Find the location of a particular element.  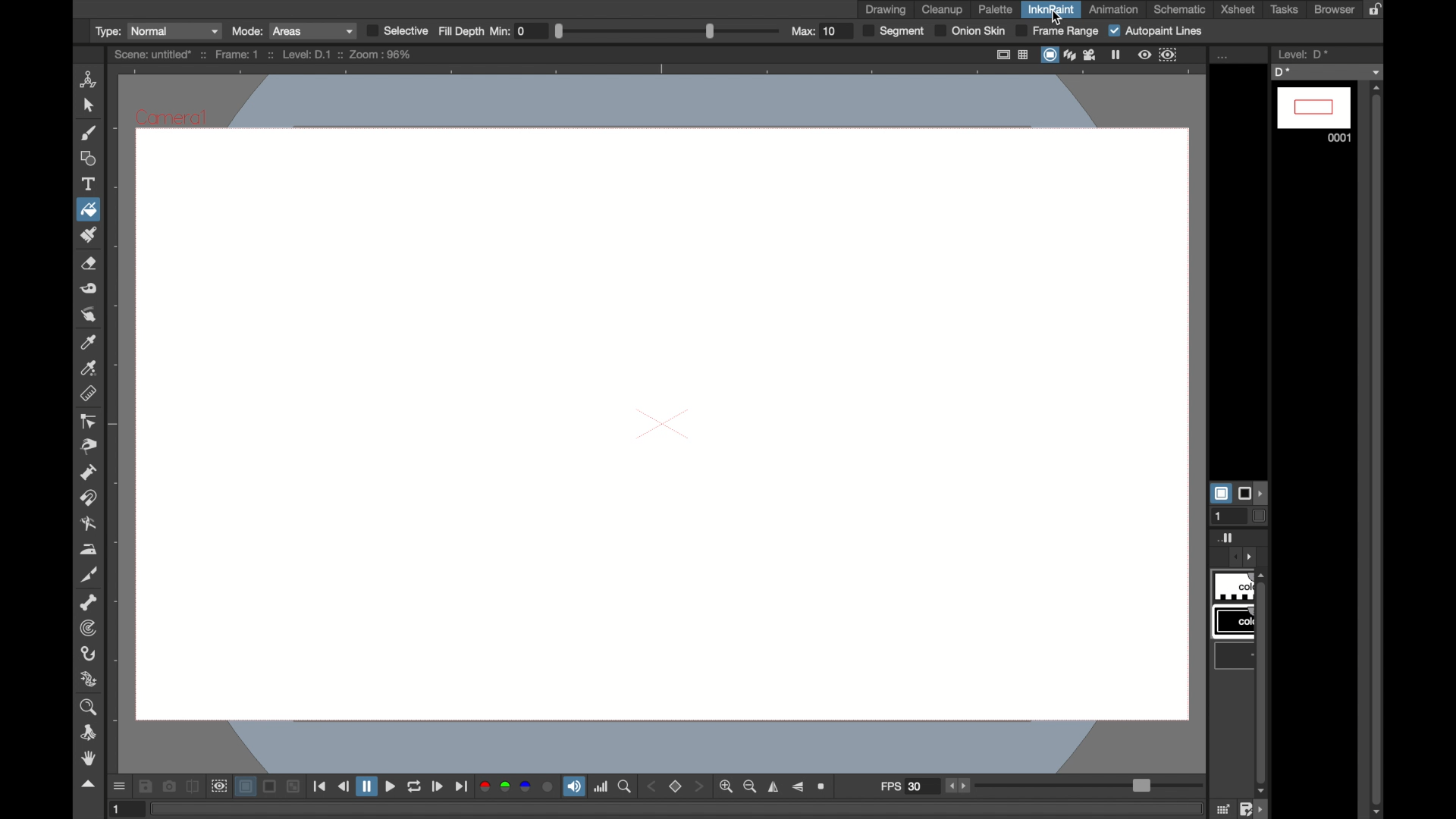

eraser tool is located at coordinates (89, 265).